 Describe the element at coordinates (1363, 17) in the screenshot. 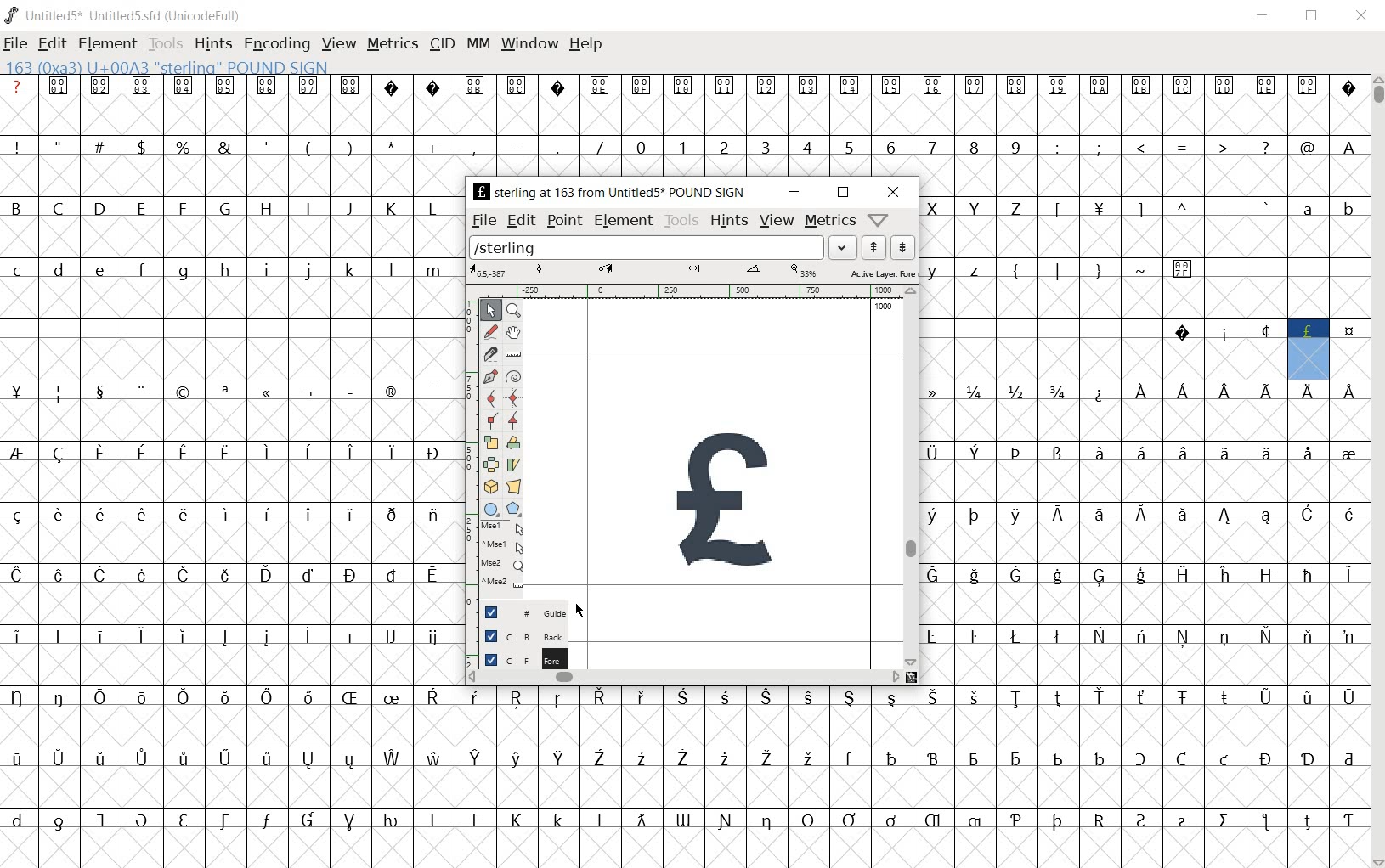

I see `close` at that location.